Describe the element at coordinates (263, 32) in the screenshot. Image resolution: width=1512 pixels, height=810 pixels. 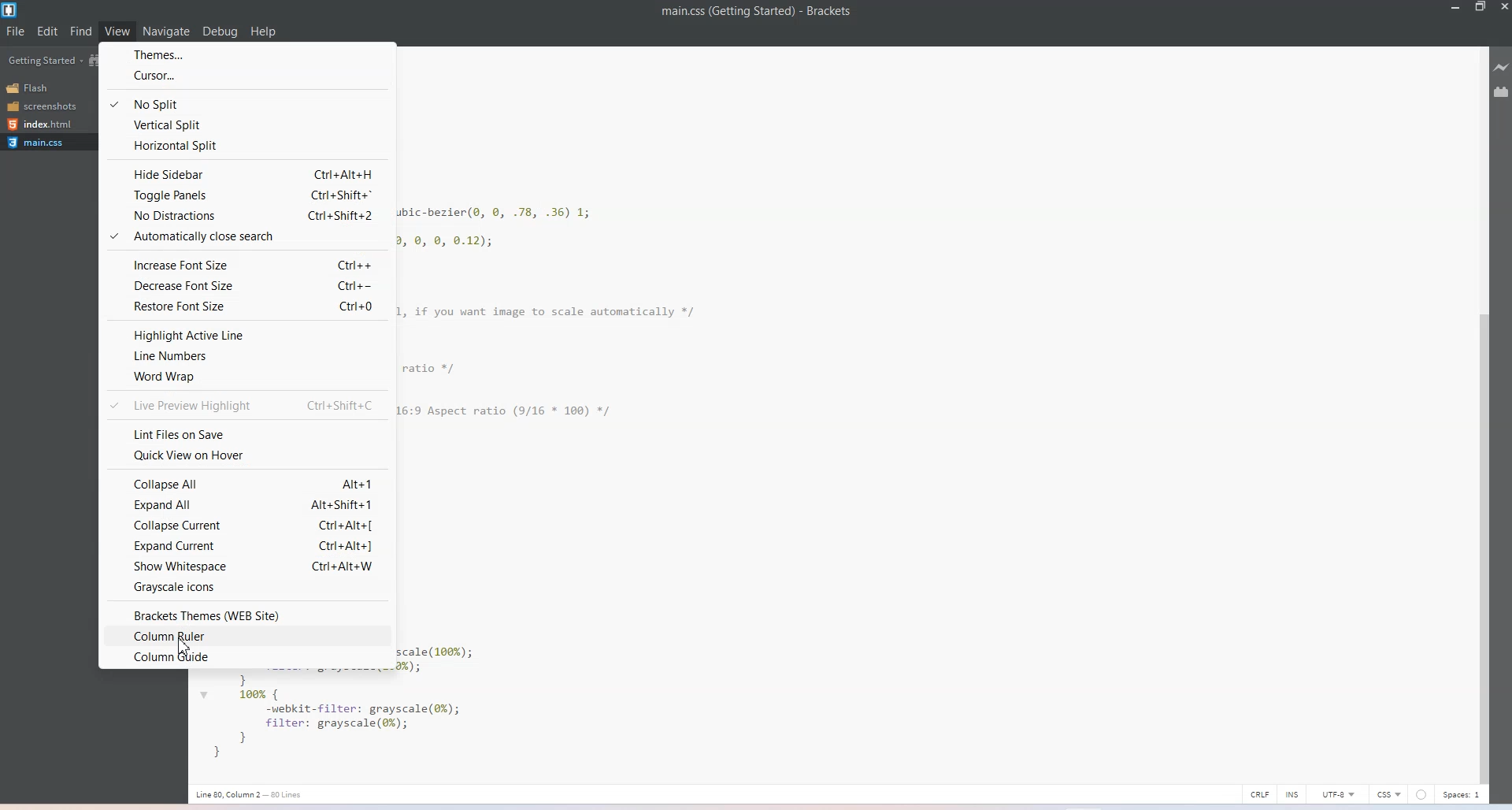
I see `Help` at that location.